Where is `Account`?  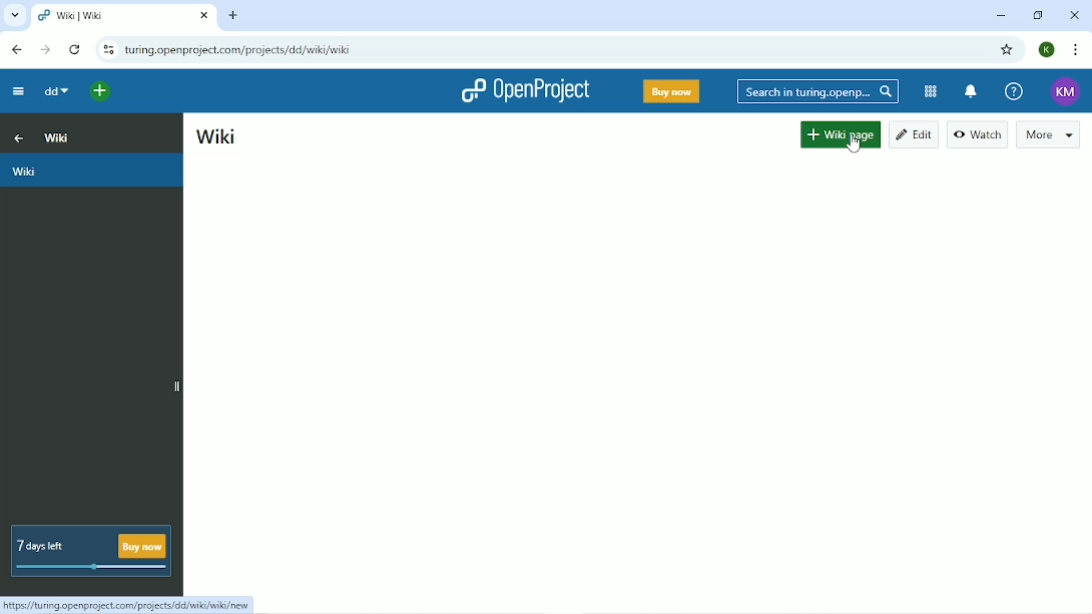 Account is located at coordinates (1047, 50).